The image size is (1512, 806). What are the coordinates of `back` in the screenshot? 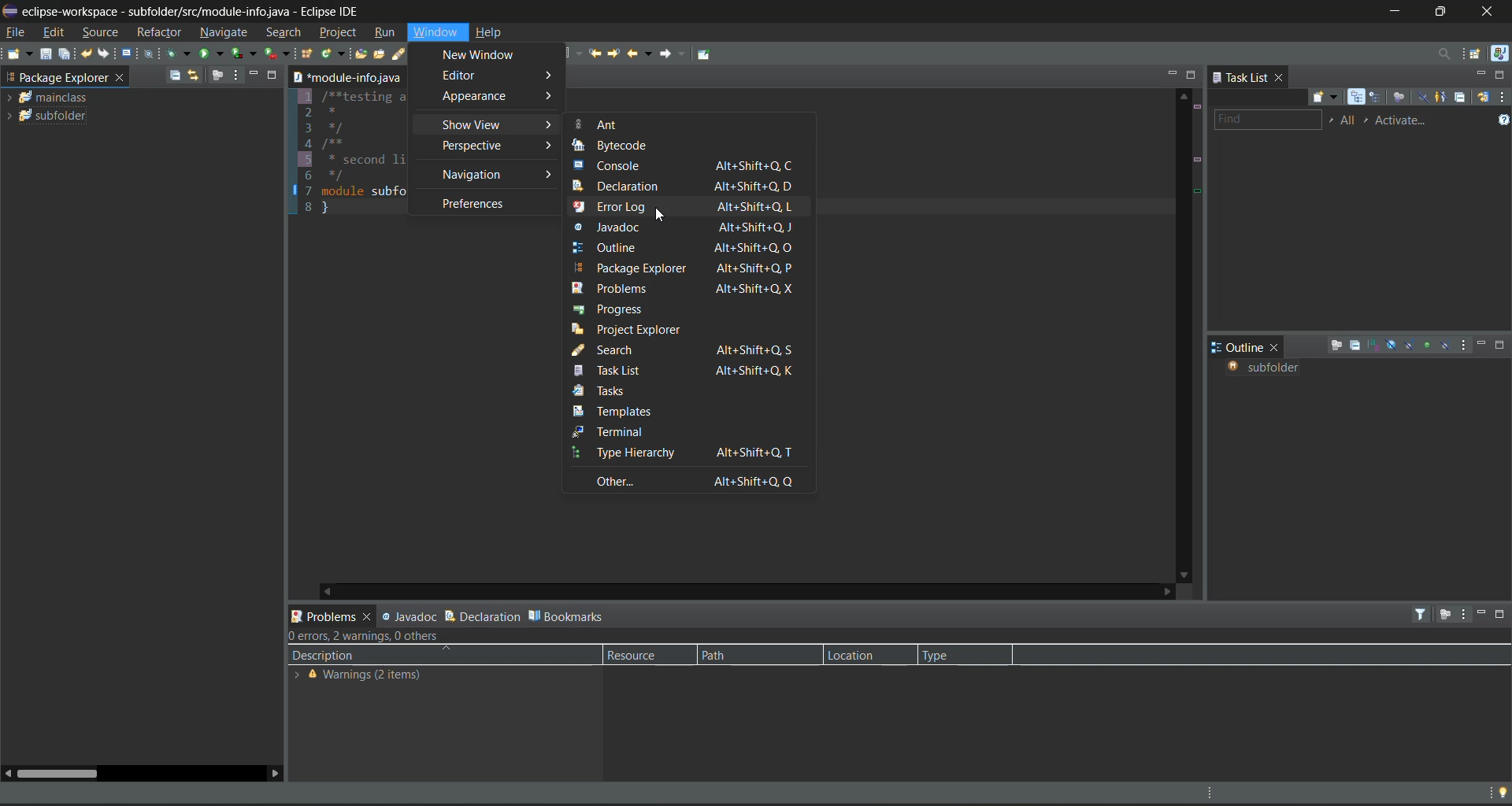 It's located at (641, 53).